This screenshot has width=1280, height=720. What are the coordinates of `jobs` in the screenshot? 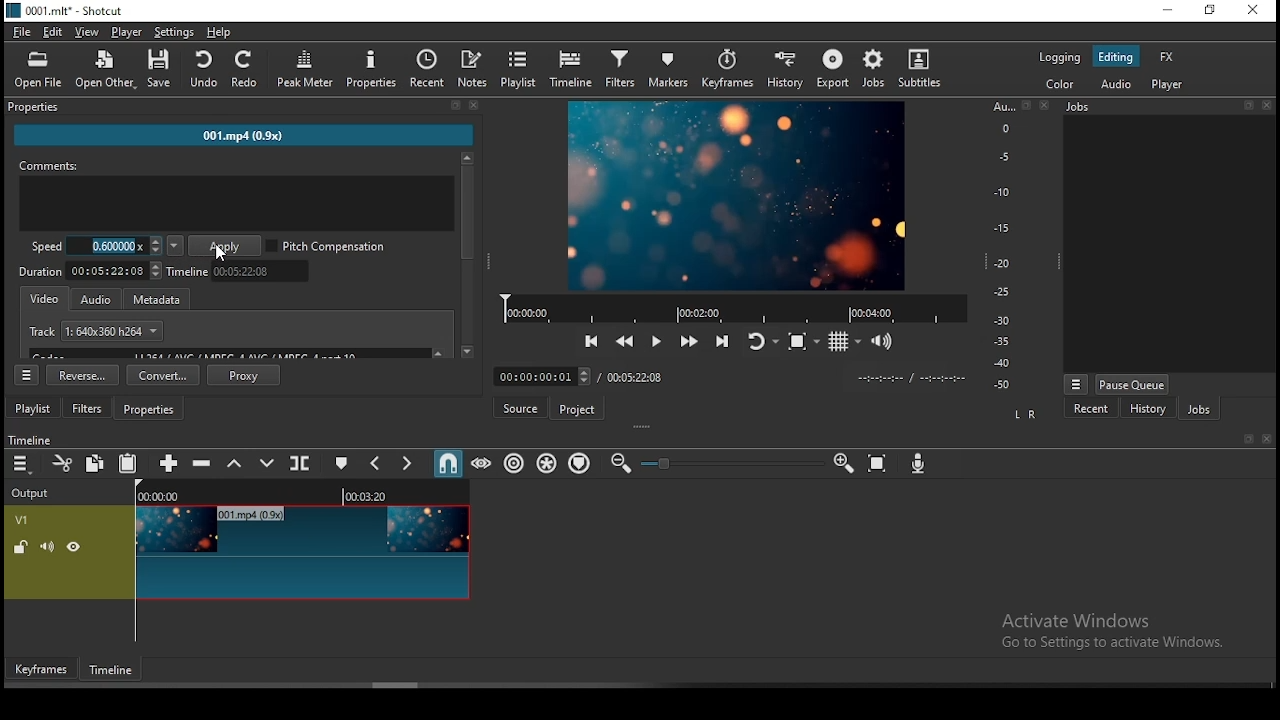 It's located at (1197, 408).